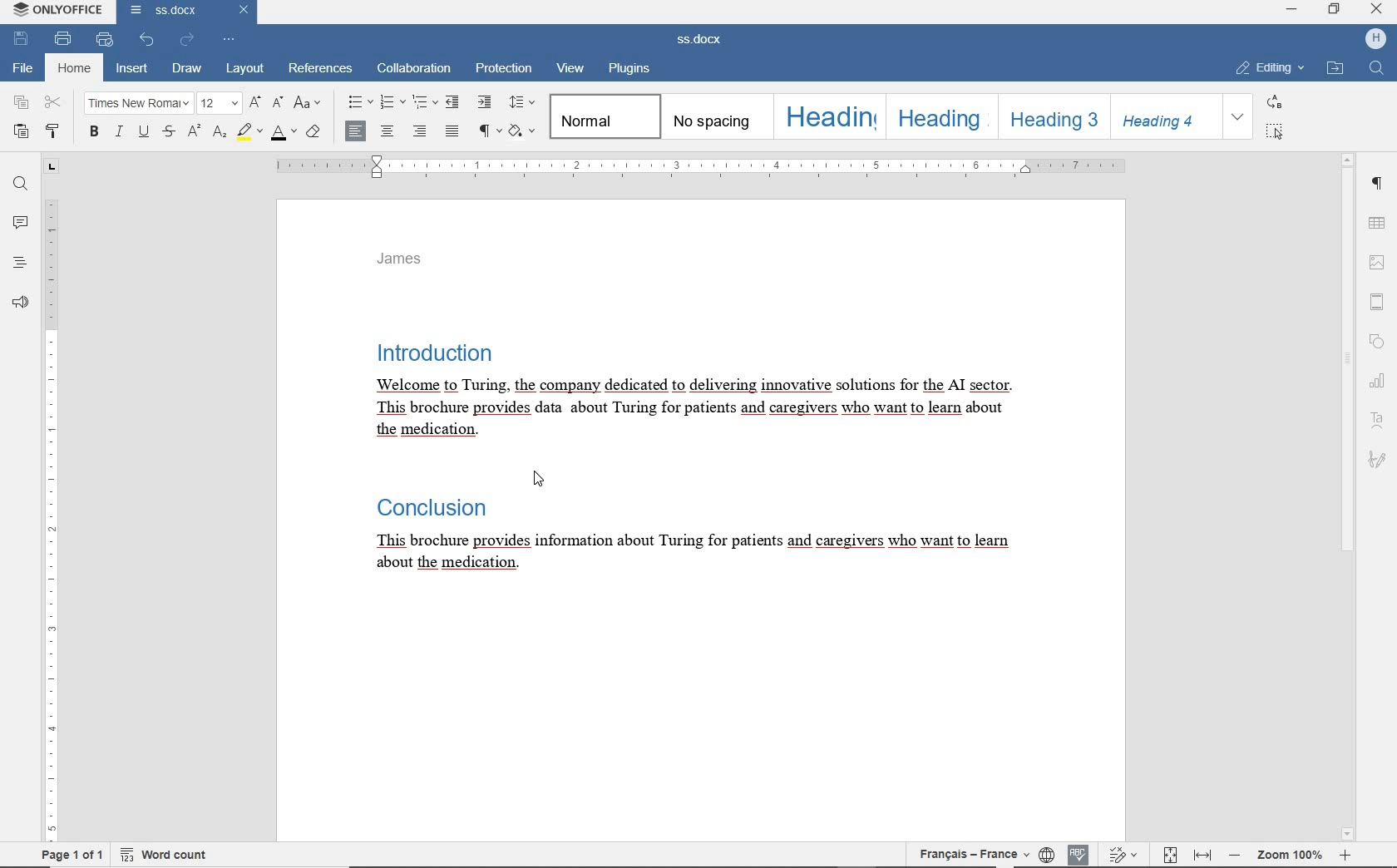  What do you see at coordinates (1378, 262) in the screenshot?
I see `IMAGE` at bounding box center [1378, 262].